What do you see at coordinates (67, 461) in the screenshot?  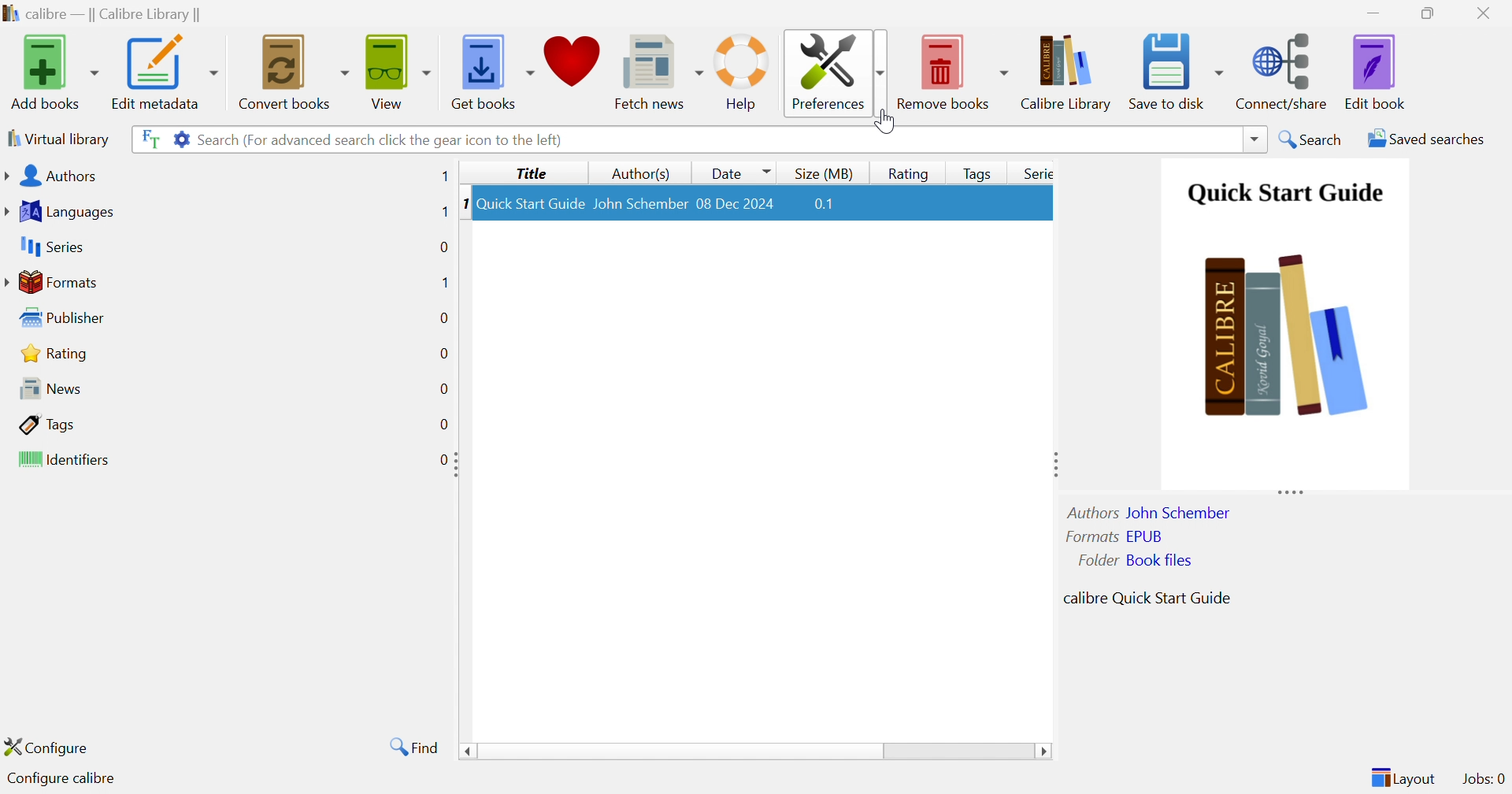 I see `Identifiers` at bounding box center [67, 461].